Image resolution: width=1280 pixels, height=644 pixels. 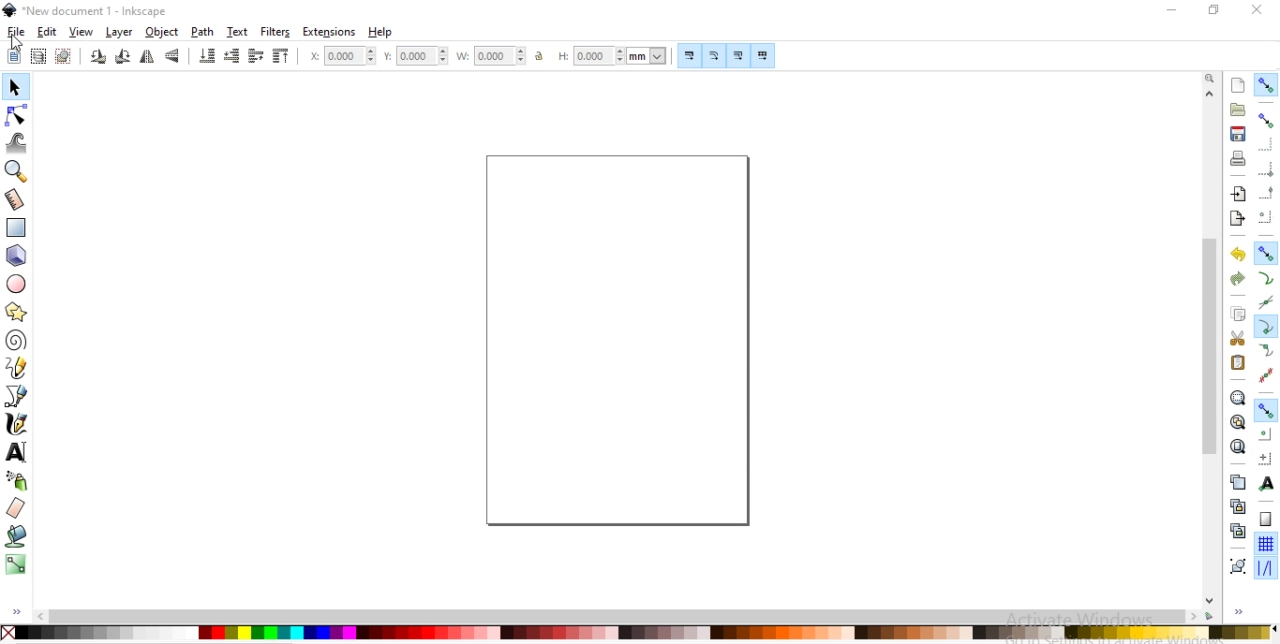 What do you see at coordinates (340, 58) in the screenshot?
I see `horizontal coordinate of selection` at bounding box center [340, 58].